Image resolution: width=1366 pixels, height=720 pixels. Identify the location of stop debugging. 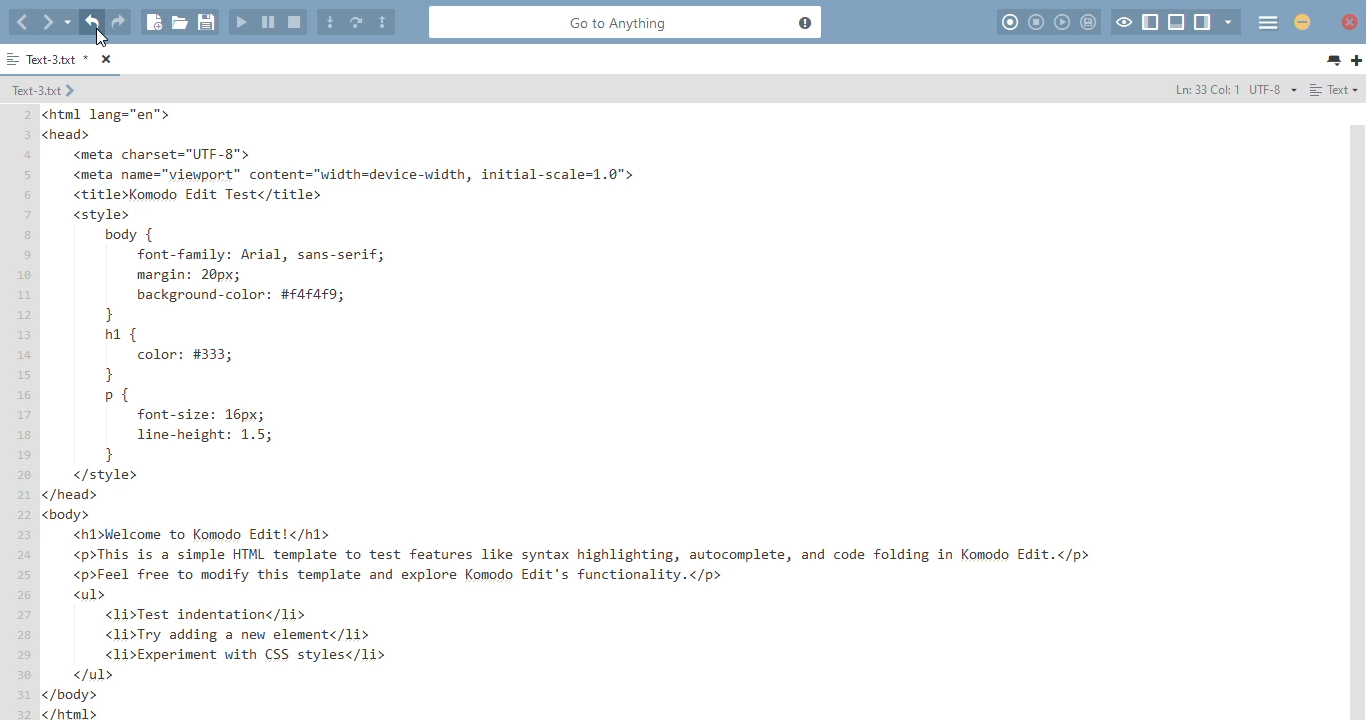
(295, 22).